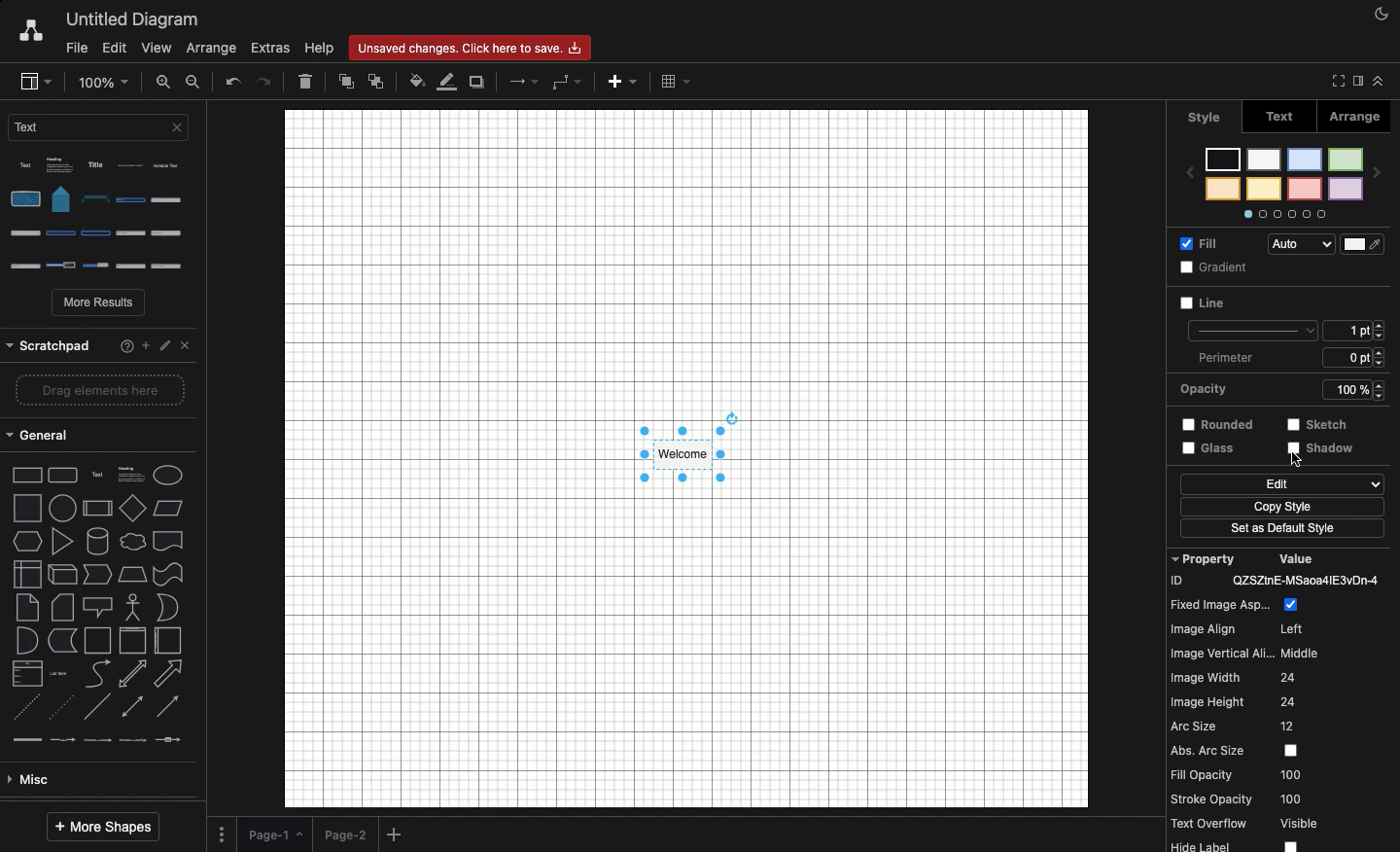  I want to click on 2d shapes, so click(99, 397).